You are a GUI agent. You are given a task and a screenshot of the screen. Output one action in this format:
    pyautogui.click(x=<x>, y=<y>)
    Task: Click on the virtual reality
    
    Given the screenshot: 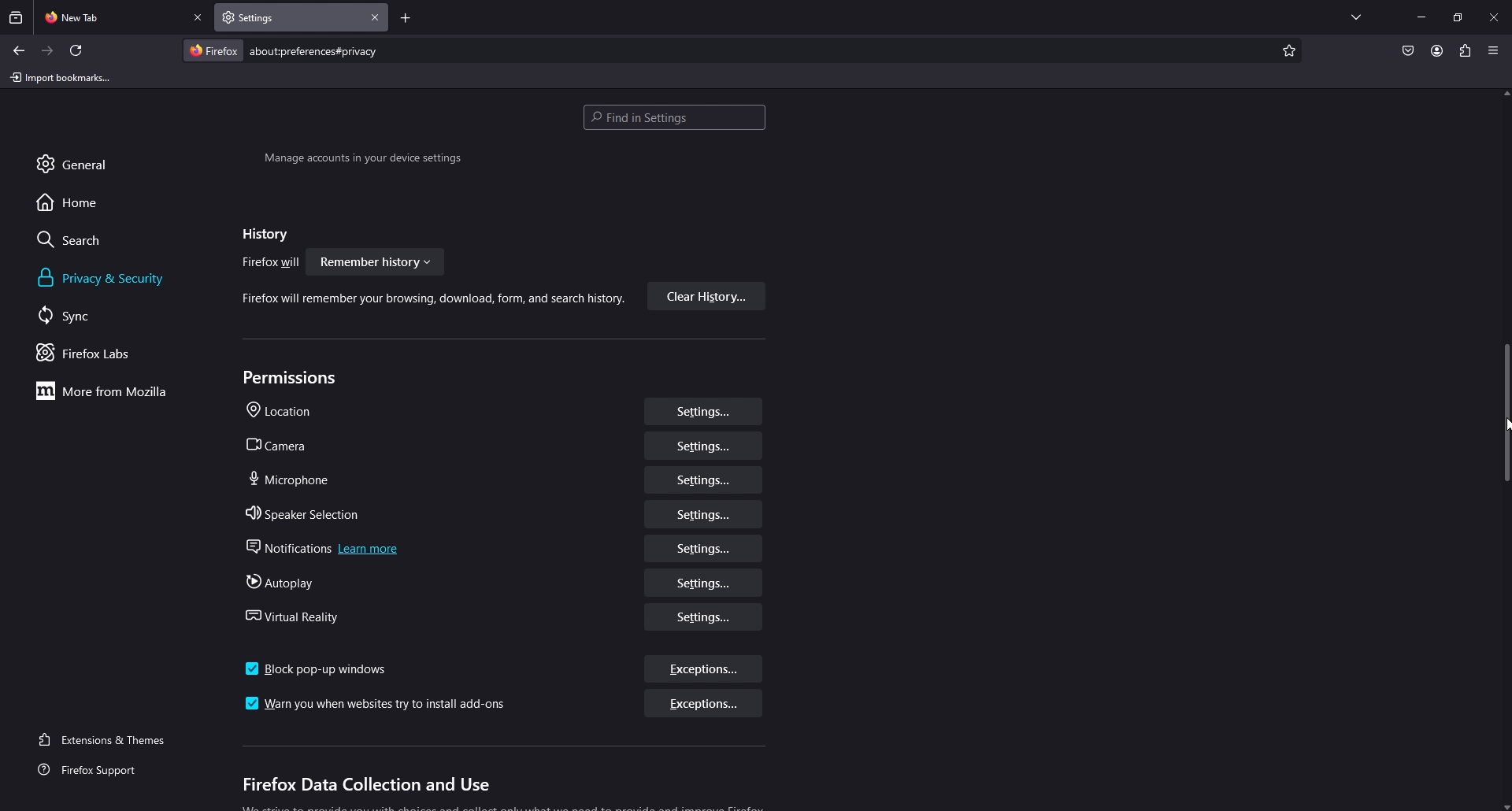 What is the action you would take?
    pyautogui.click(x=300, y=616)
    